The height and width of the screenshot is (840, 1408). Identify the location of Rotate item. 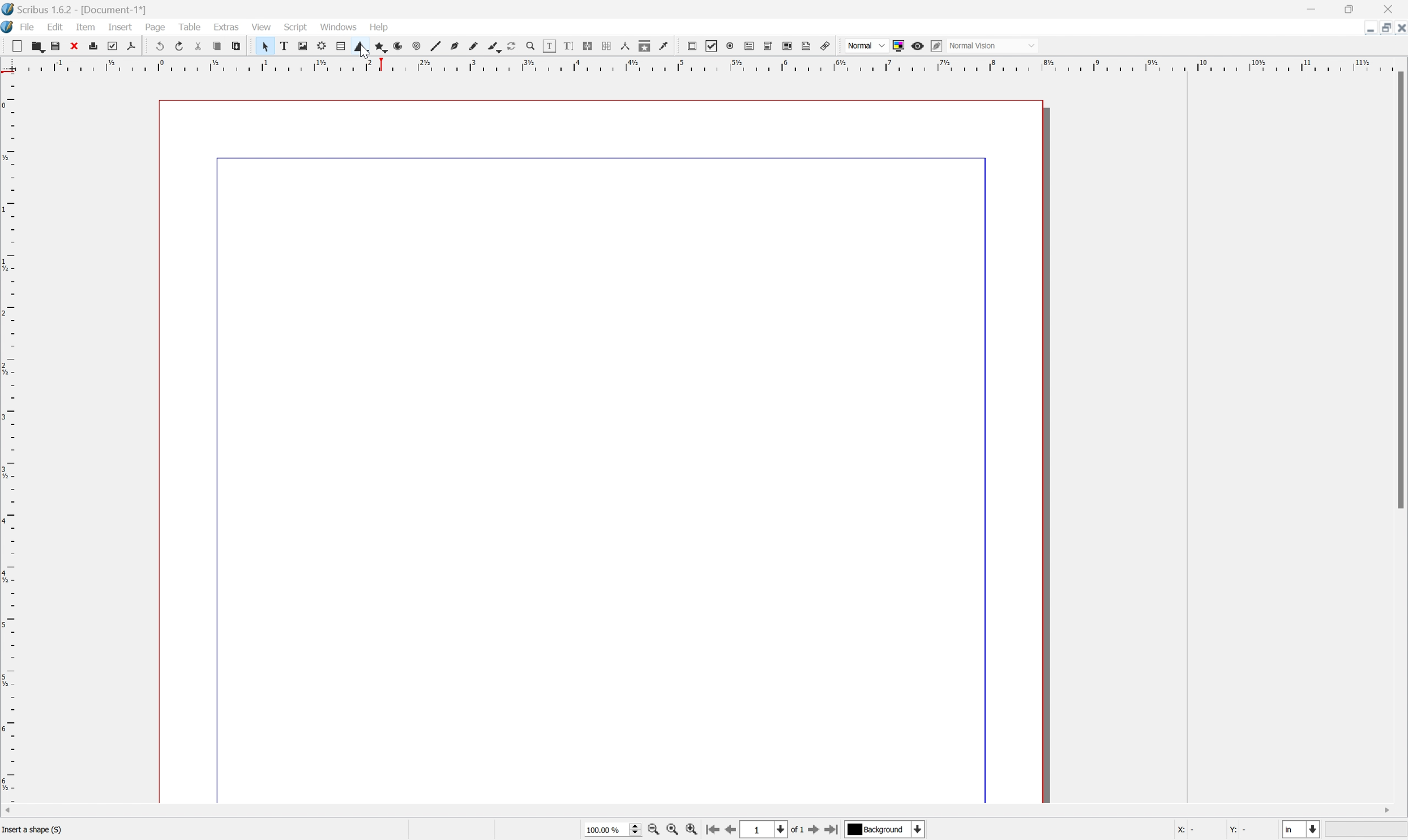
(515, 46).